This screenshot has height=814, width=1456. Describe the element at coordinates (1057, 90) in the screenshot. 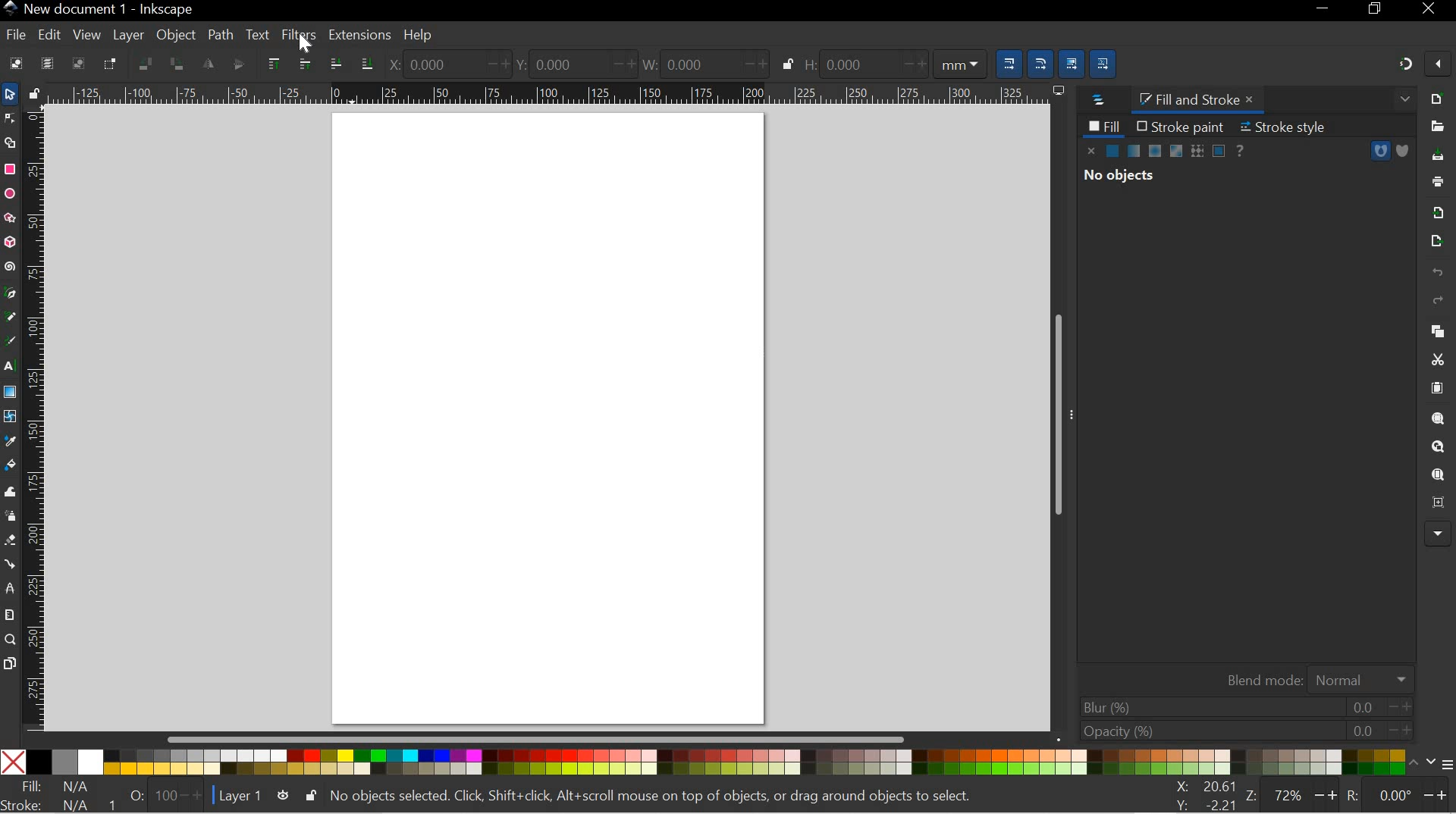

I see `DISPLAY OPTIONS` at that location.